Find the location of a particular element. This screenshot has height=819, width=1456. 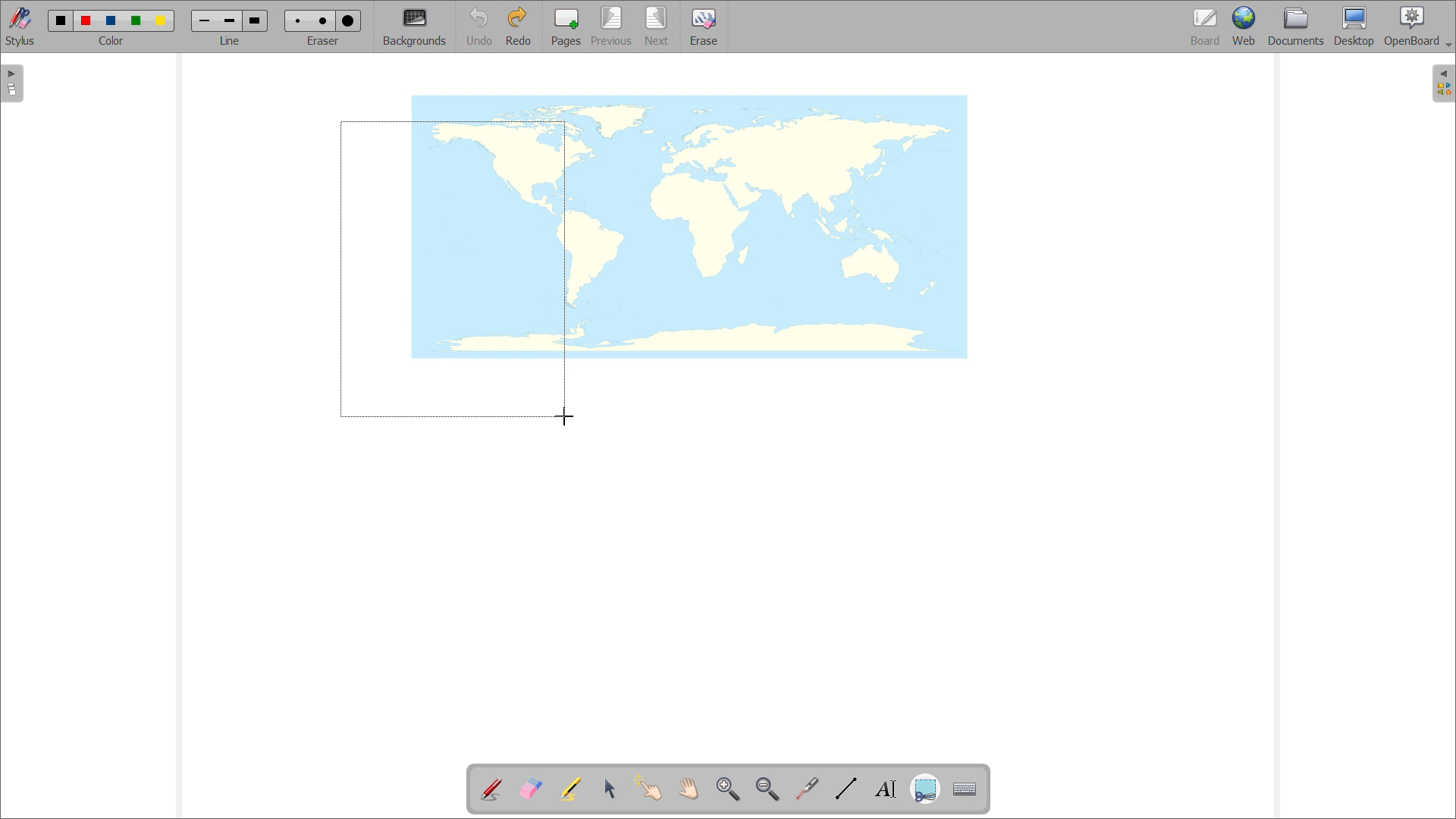

next page is located at coordinates (657, 26).